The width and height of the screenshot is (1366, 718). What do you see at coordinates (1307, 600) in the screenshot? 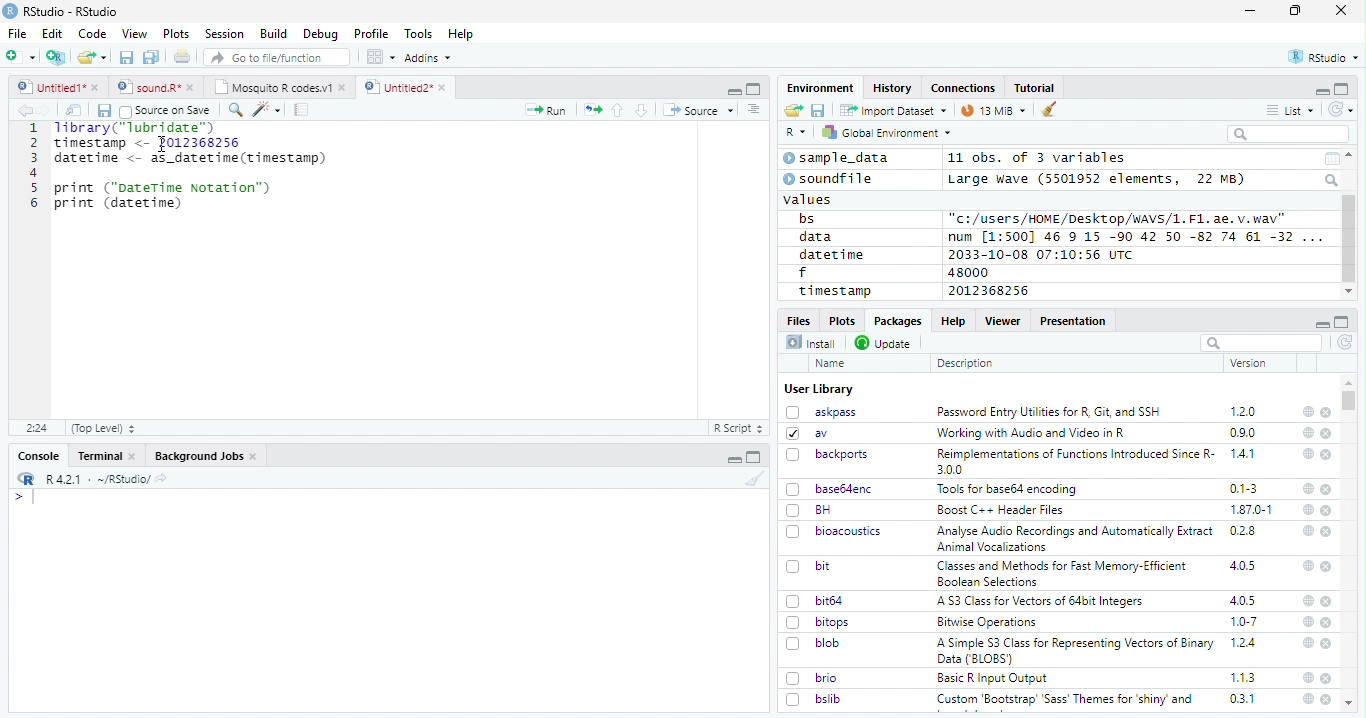
I see `help` at bounding box center [1307, 600].